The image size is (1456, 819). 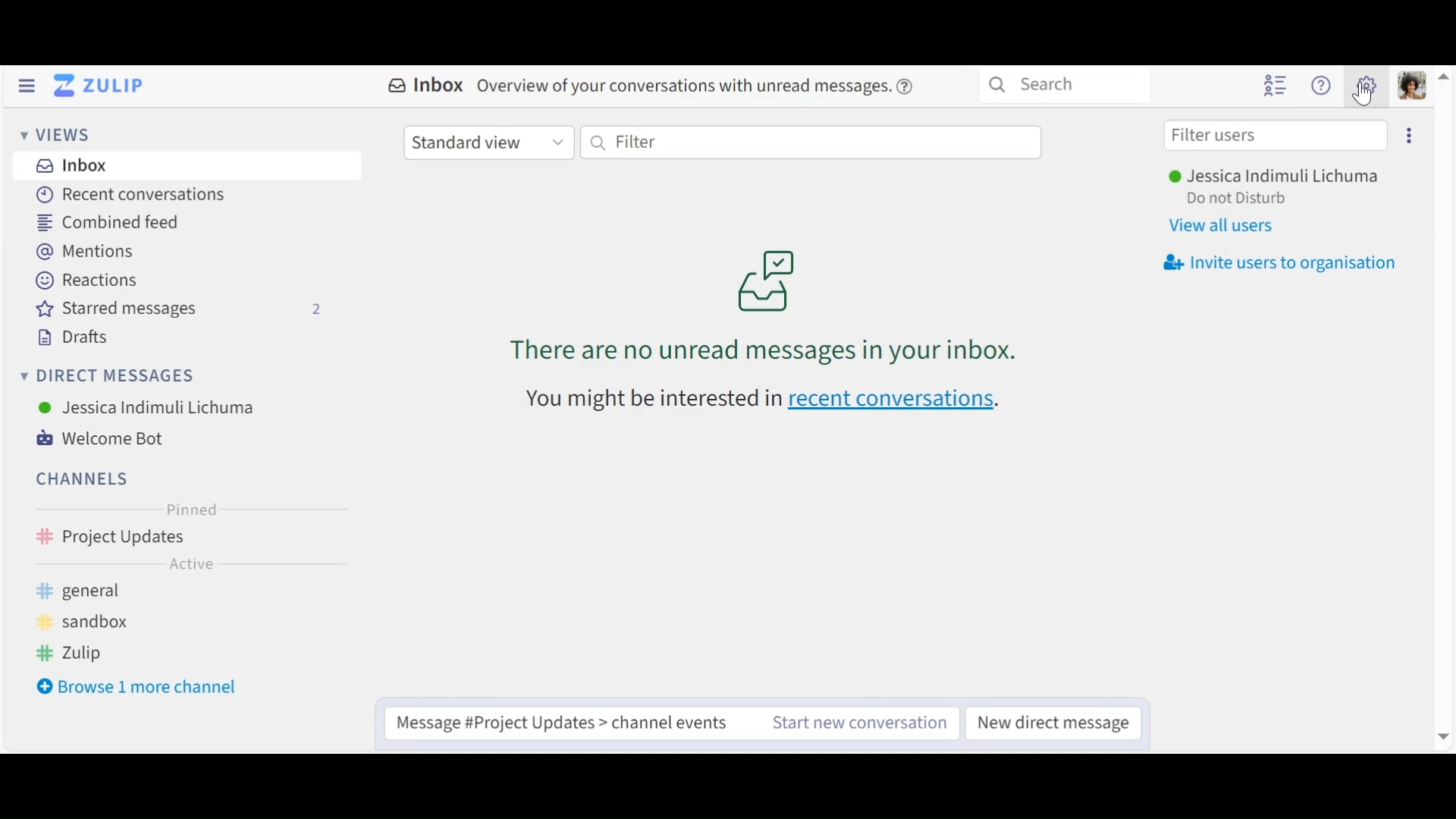 I want to click on Help menu, so click(x=1321, y=84).